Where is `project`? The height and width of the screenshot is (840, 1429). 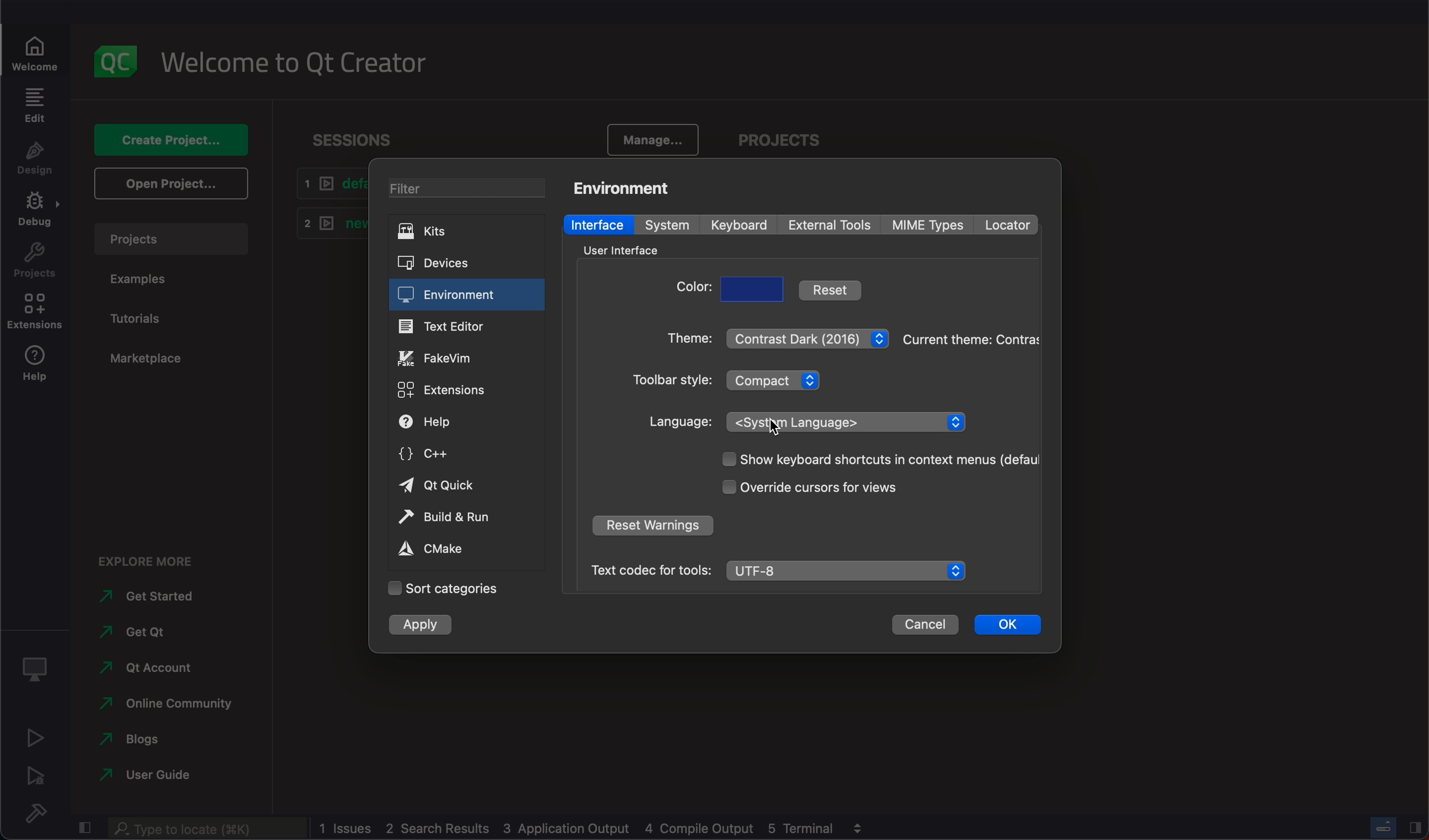
project is located at coordinates (34, 261).